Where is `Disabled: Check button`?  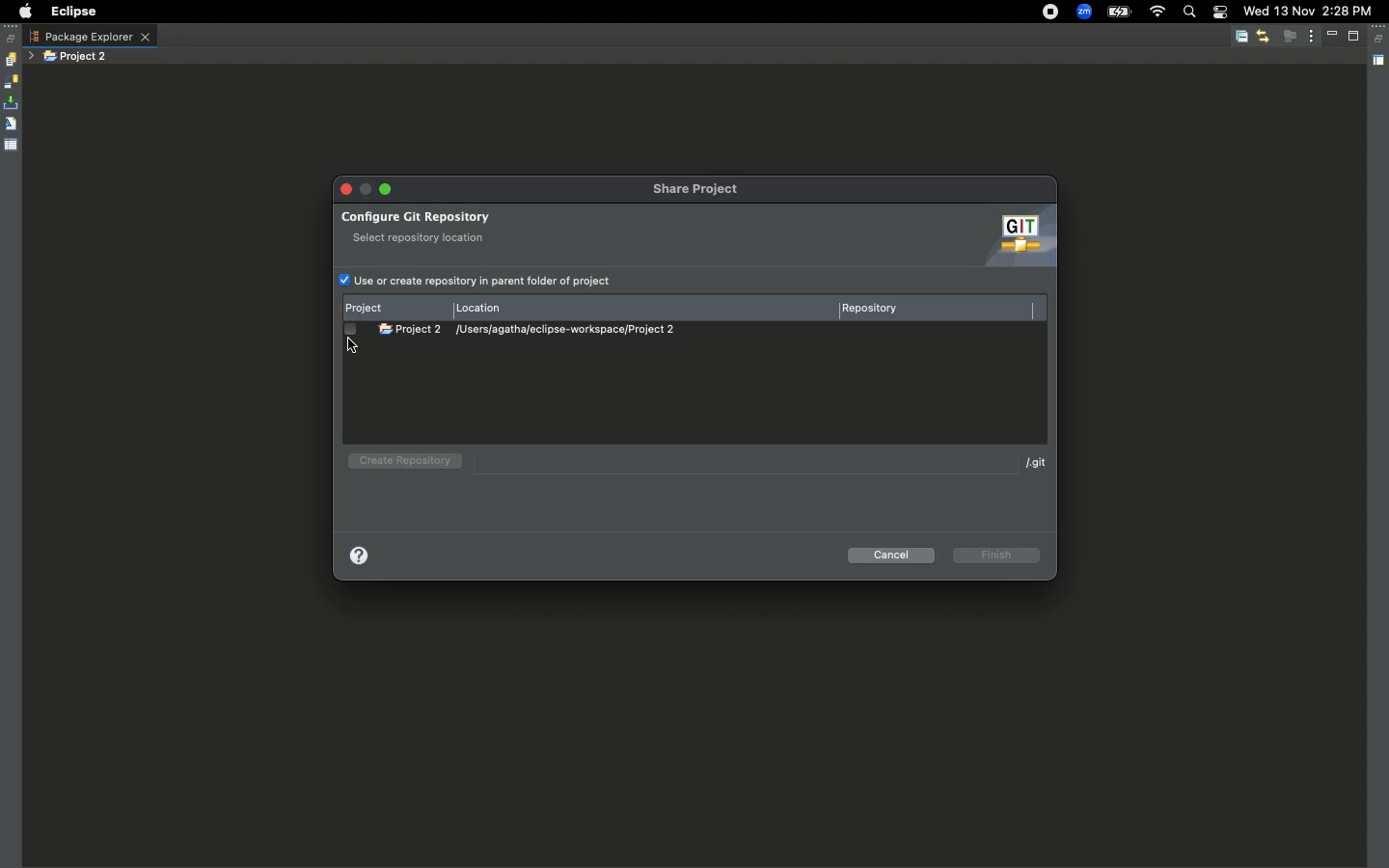 Disabled: Check button is located at coordinates (352, 330).